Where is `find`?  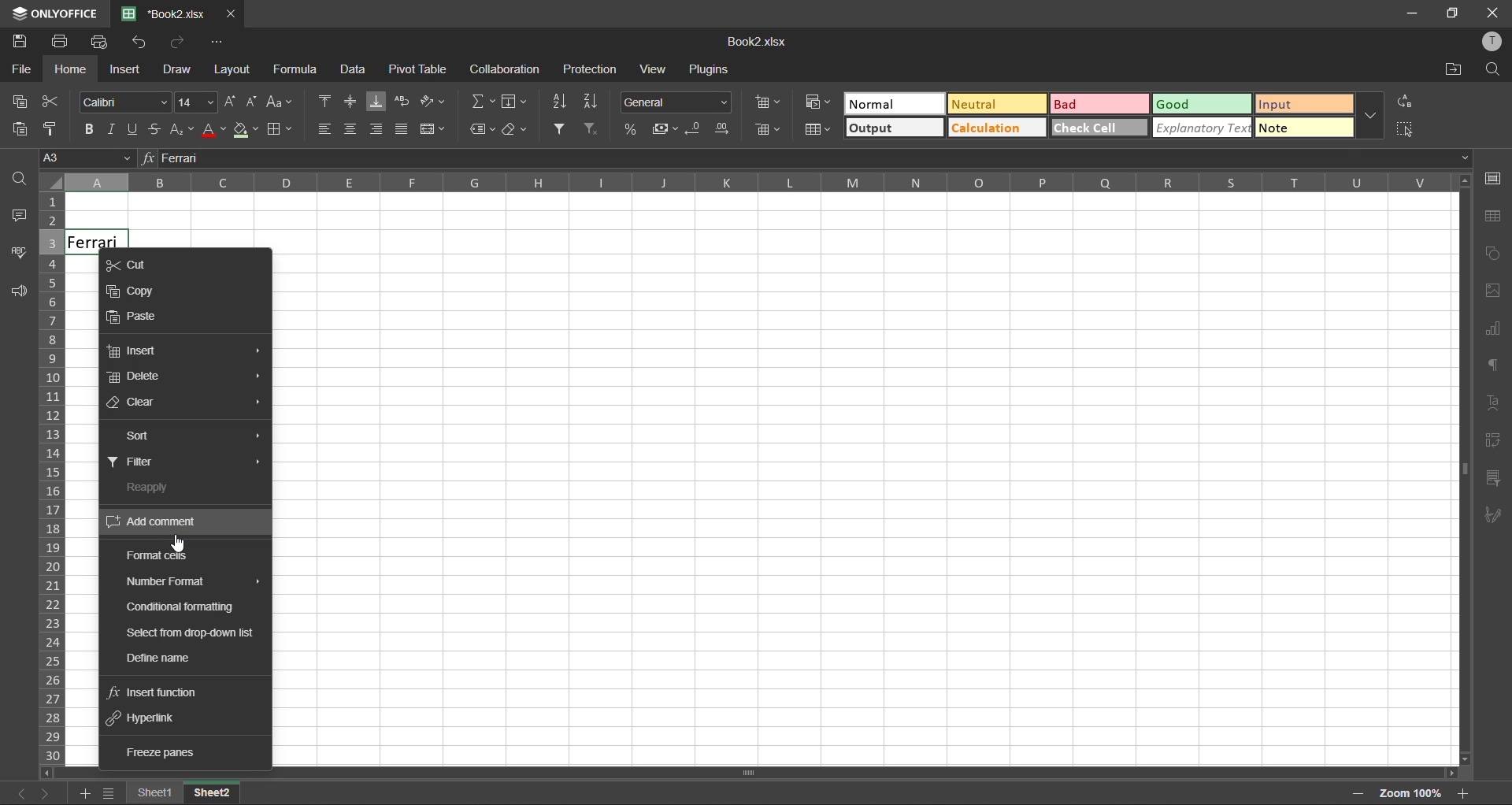 find is located at coordinates (18, 184).